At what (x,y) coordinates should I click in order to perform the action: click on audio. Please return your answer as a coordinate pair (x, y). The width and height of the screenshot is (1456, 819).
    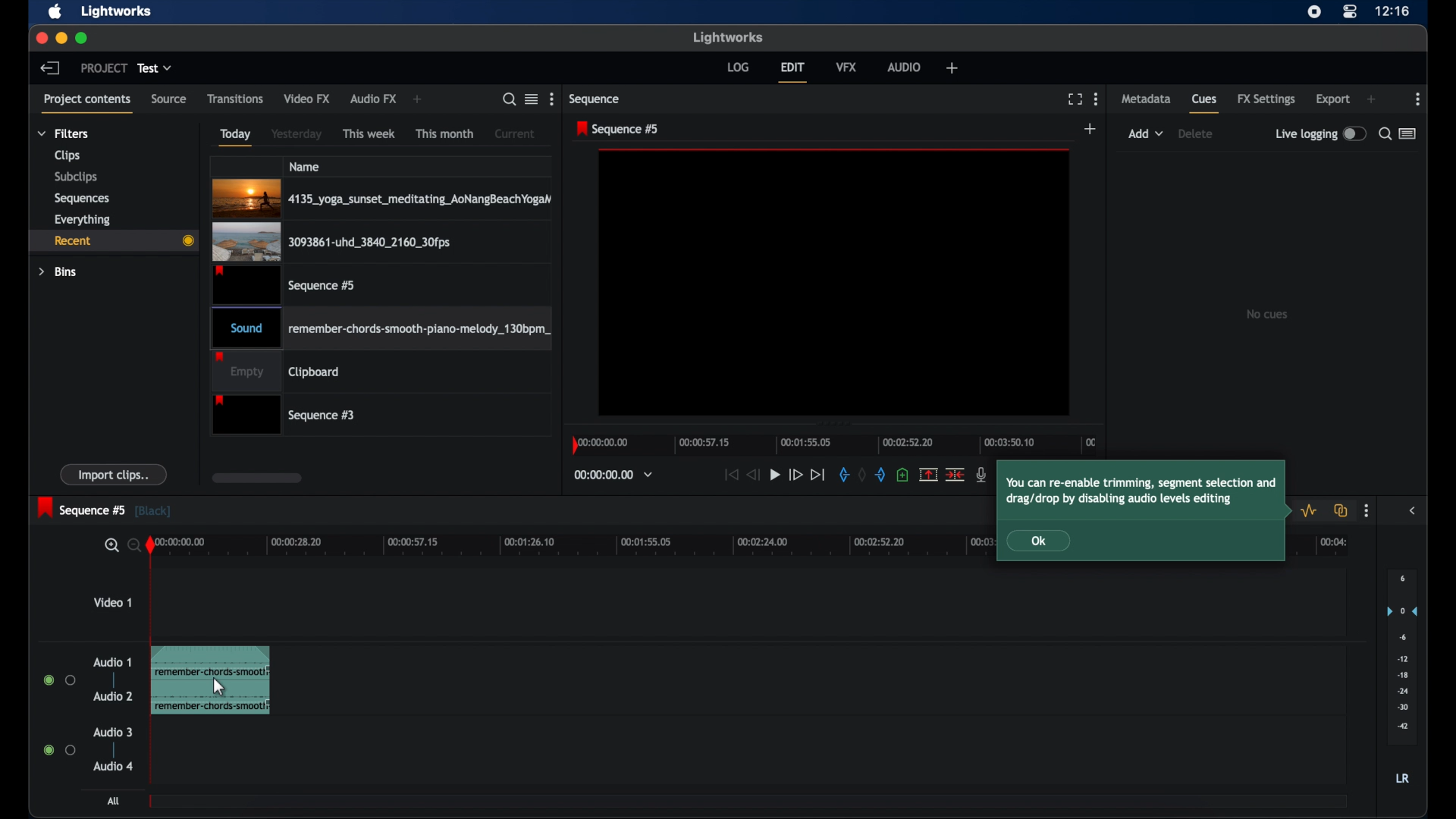
    Looking at the image, I should click on (904, 66).